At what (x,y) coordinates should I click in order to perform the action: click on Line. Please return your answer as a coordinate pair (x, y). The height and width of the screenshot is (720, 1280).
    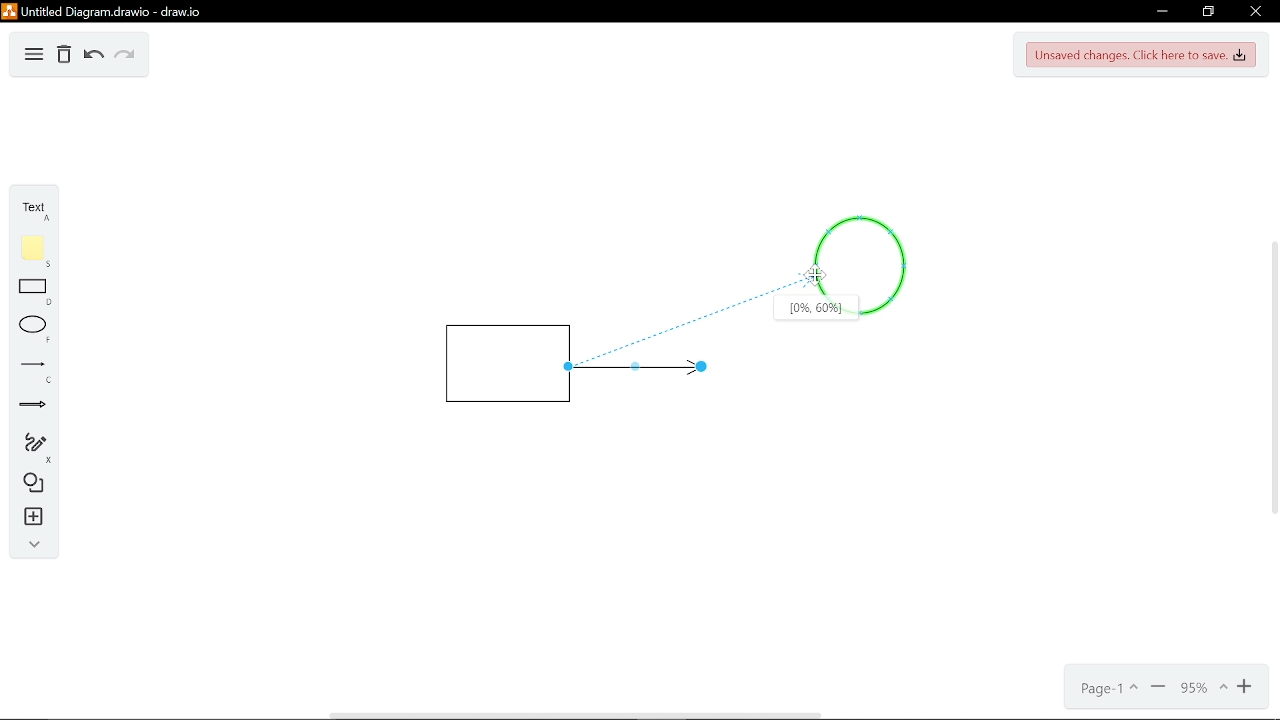
    Looking at the image, I should click on (30, 367).